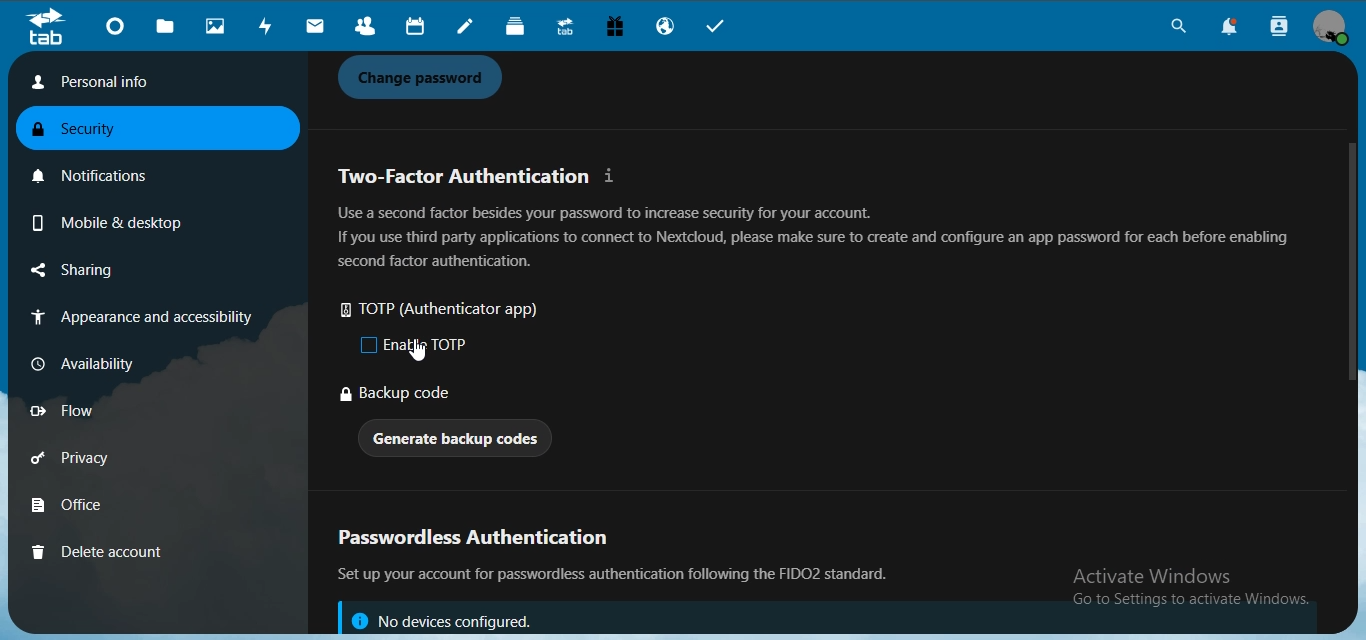 This screenshot has width=1366, height=640. Describe the element at coordinates (480, 176) in the screenshot. I see `two-factor authentication` at that location.